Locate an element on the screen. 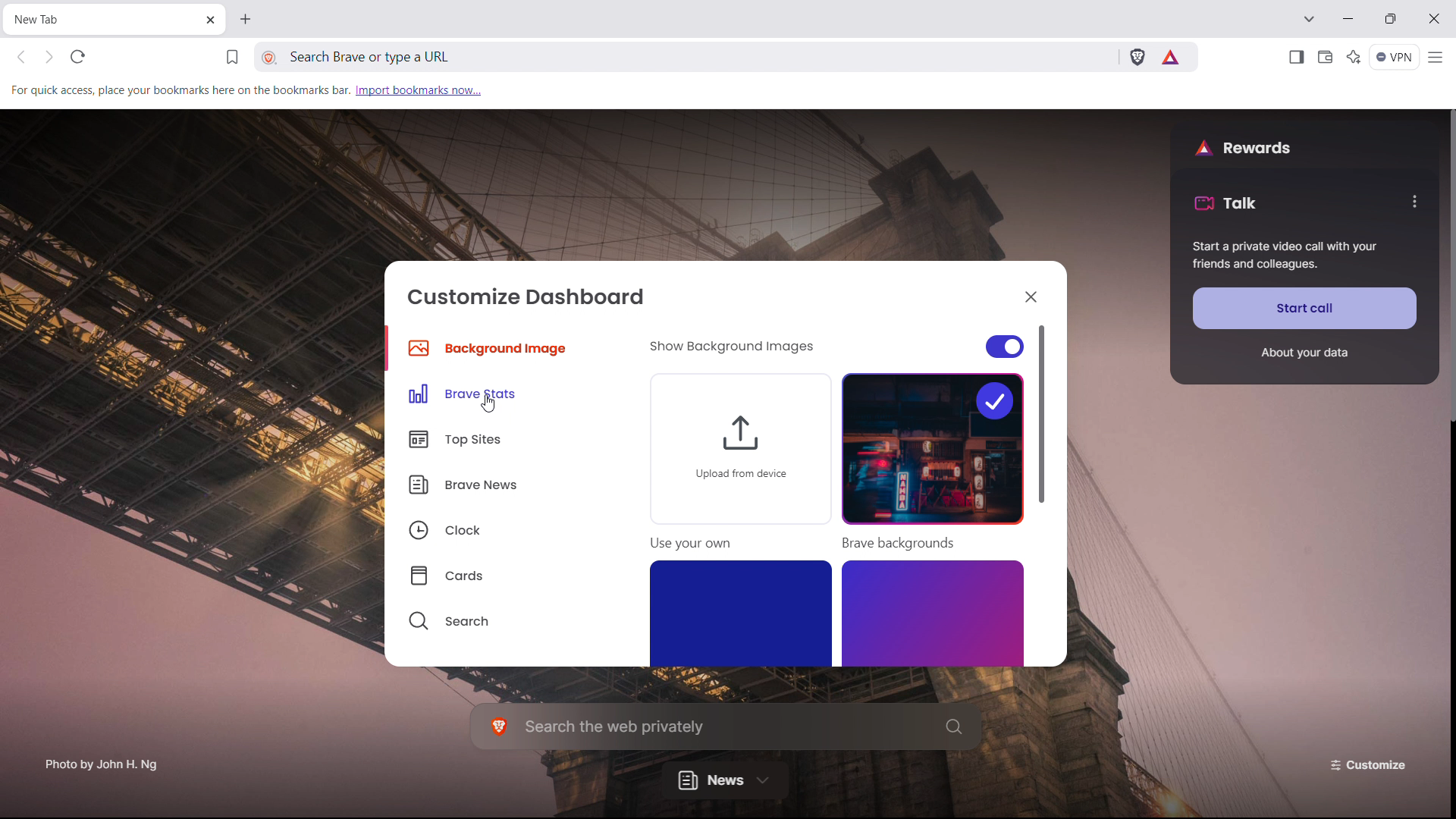 The height and width of the screenshot is (819, 1456). For quick access, place your bookmarks here on the bookmarks bar. is located at coordinates (178, 89).